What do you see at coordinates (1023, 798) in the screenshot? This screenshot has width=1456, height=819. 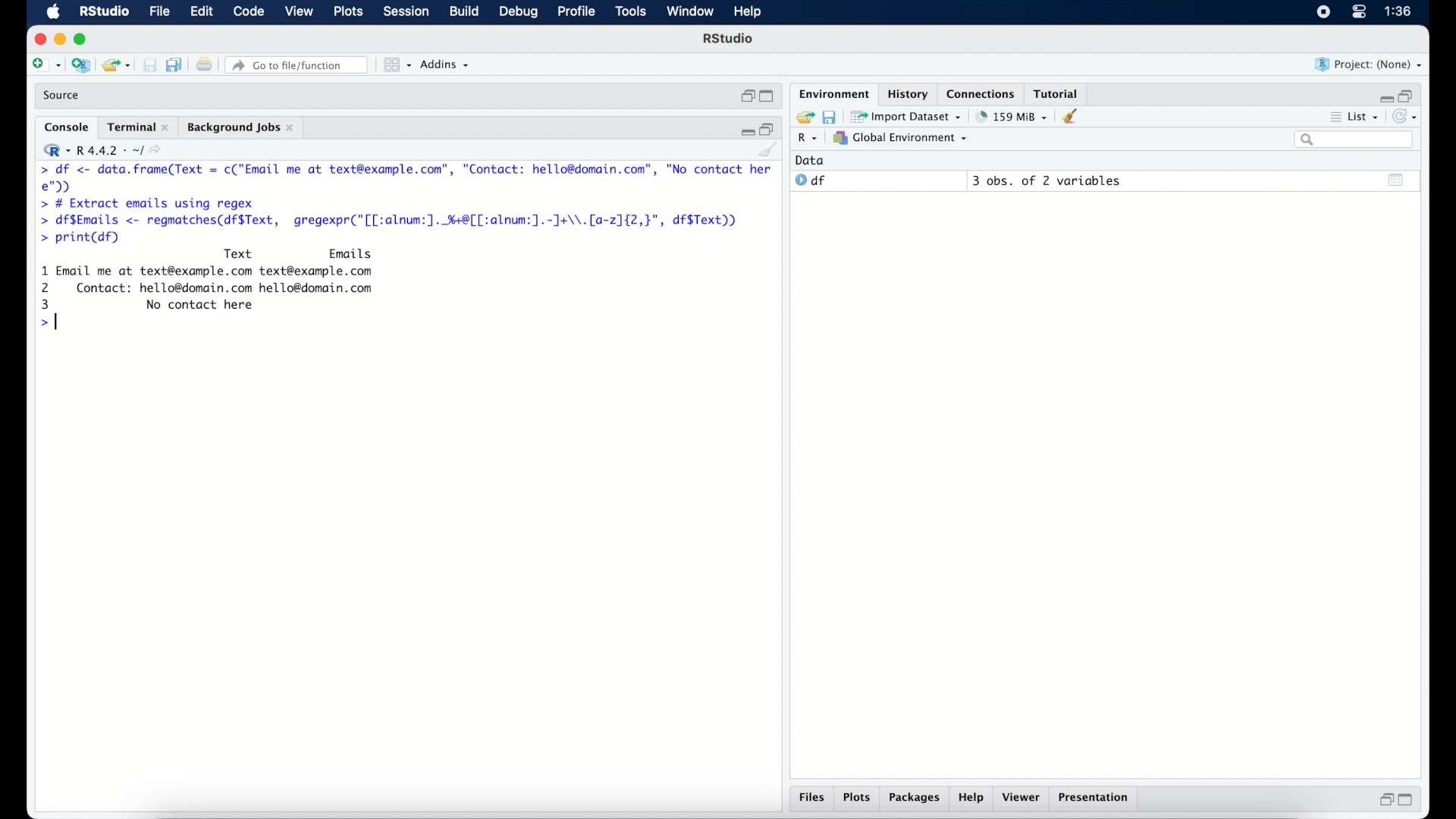 I see `viewer` at bounding box center [1023, 798].